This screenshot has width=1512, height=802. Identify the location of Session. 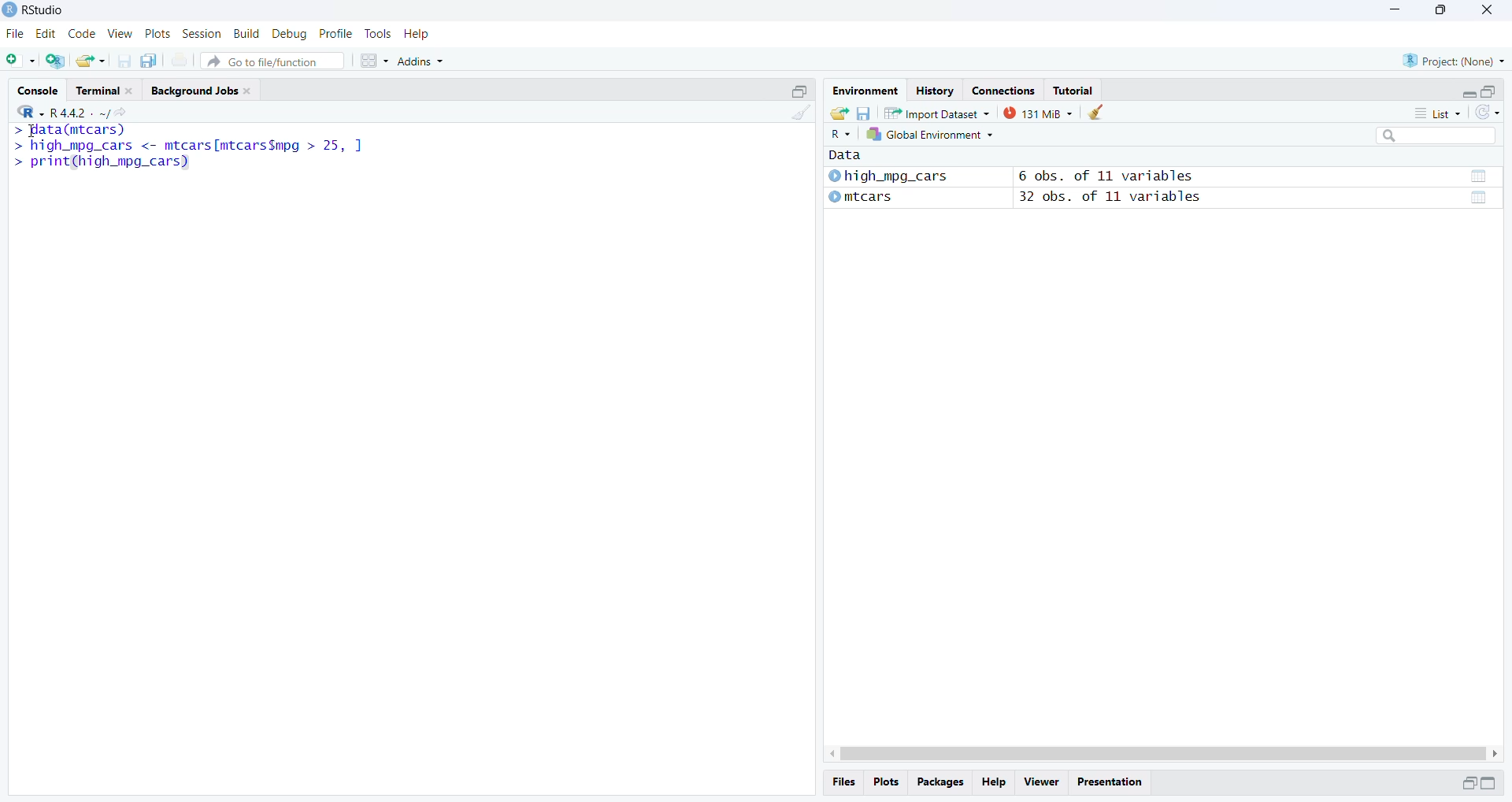
(202, 33).